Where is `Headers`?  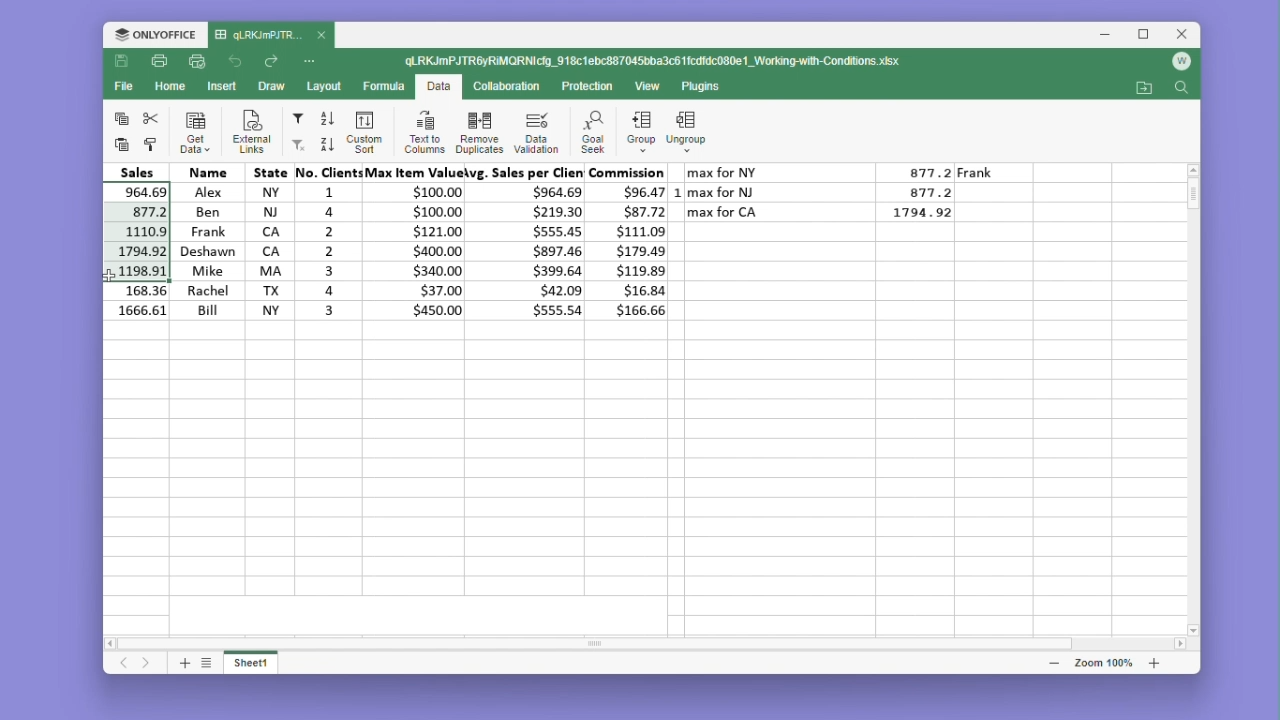
Headers is located at coordinates (385, 172).